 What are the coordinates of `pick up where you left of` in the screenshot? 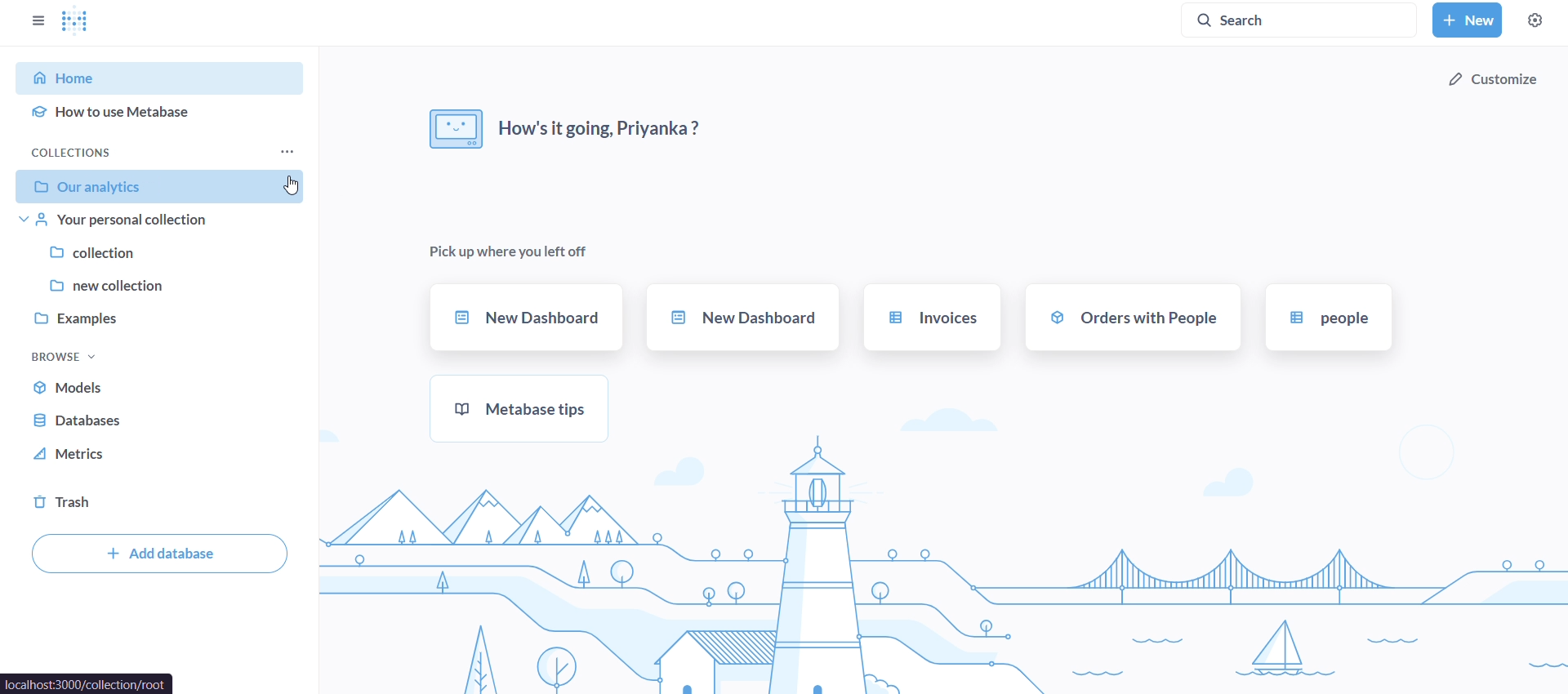 It's located at (513, 248).